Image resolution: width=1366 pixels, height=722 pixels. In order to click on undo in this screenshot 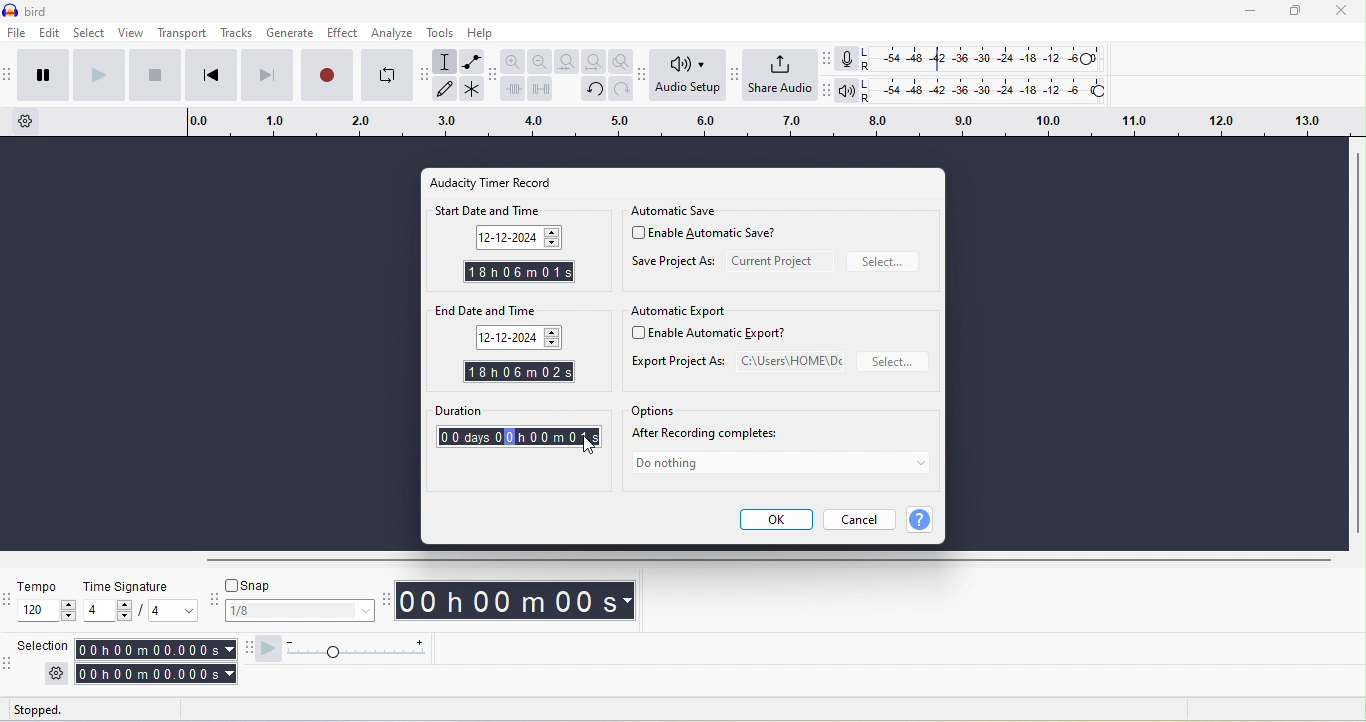, I will do `click(596, 90)`.